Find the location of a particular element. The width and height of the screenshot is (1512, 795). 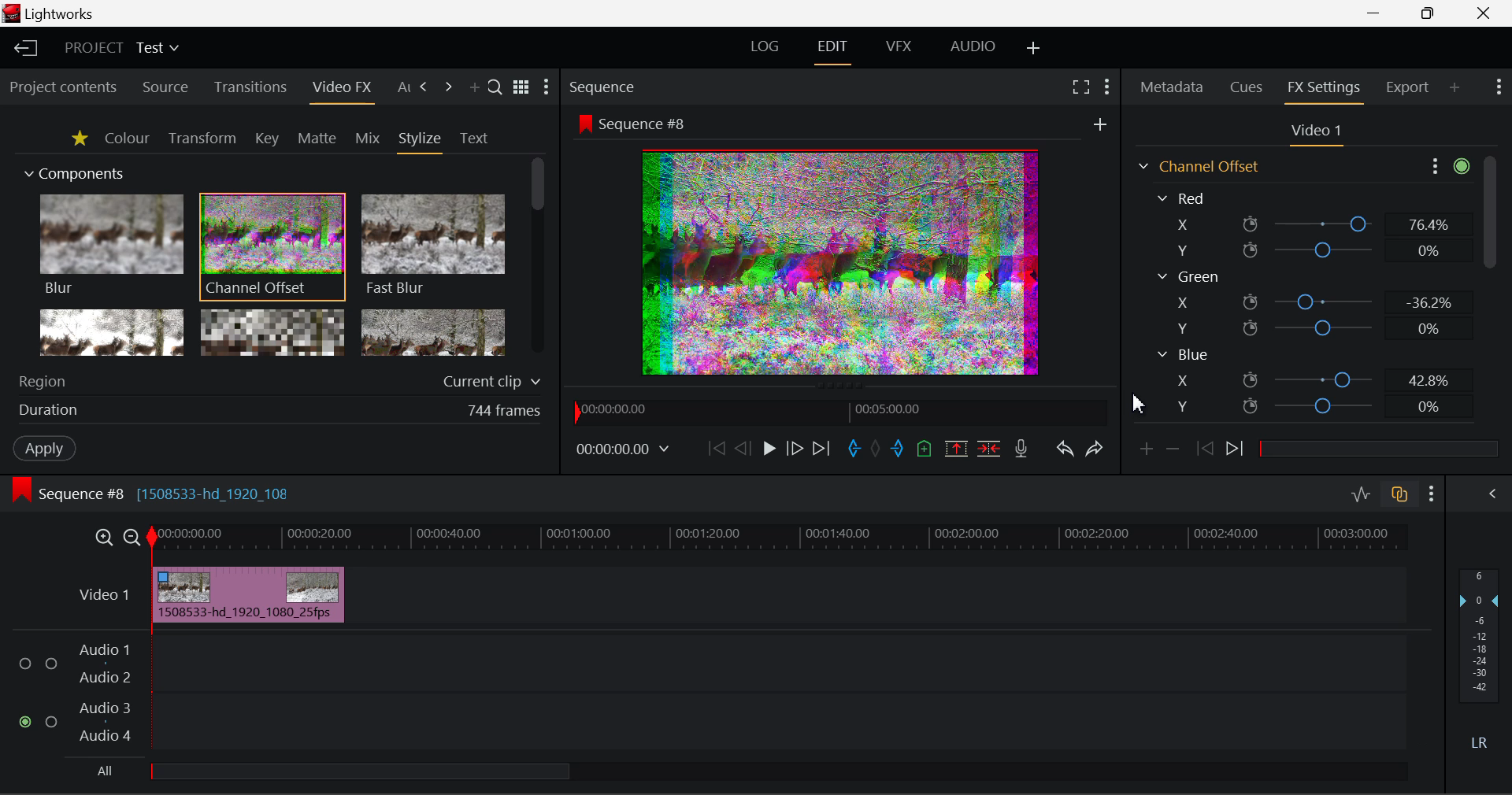

Mark Out is located at coordinates (896, 449).